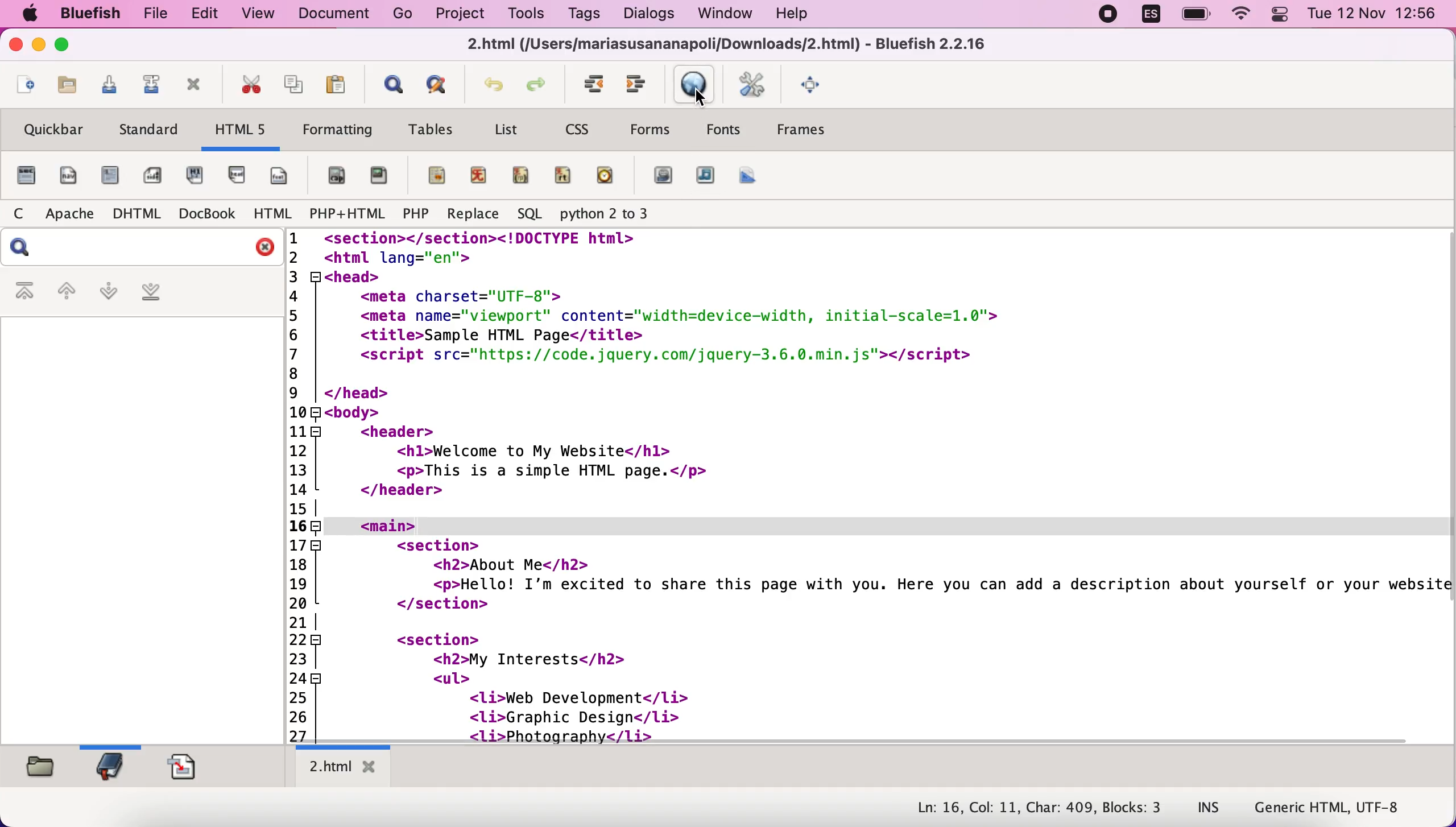 The image size is (1456, 827). What do you see at coordinates (530, 214) in the screenshot?
I see `sql` at bounding box center [530, 214].